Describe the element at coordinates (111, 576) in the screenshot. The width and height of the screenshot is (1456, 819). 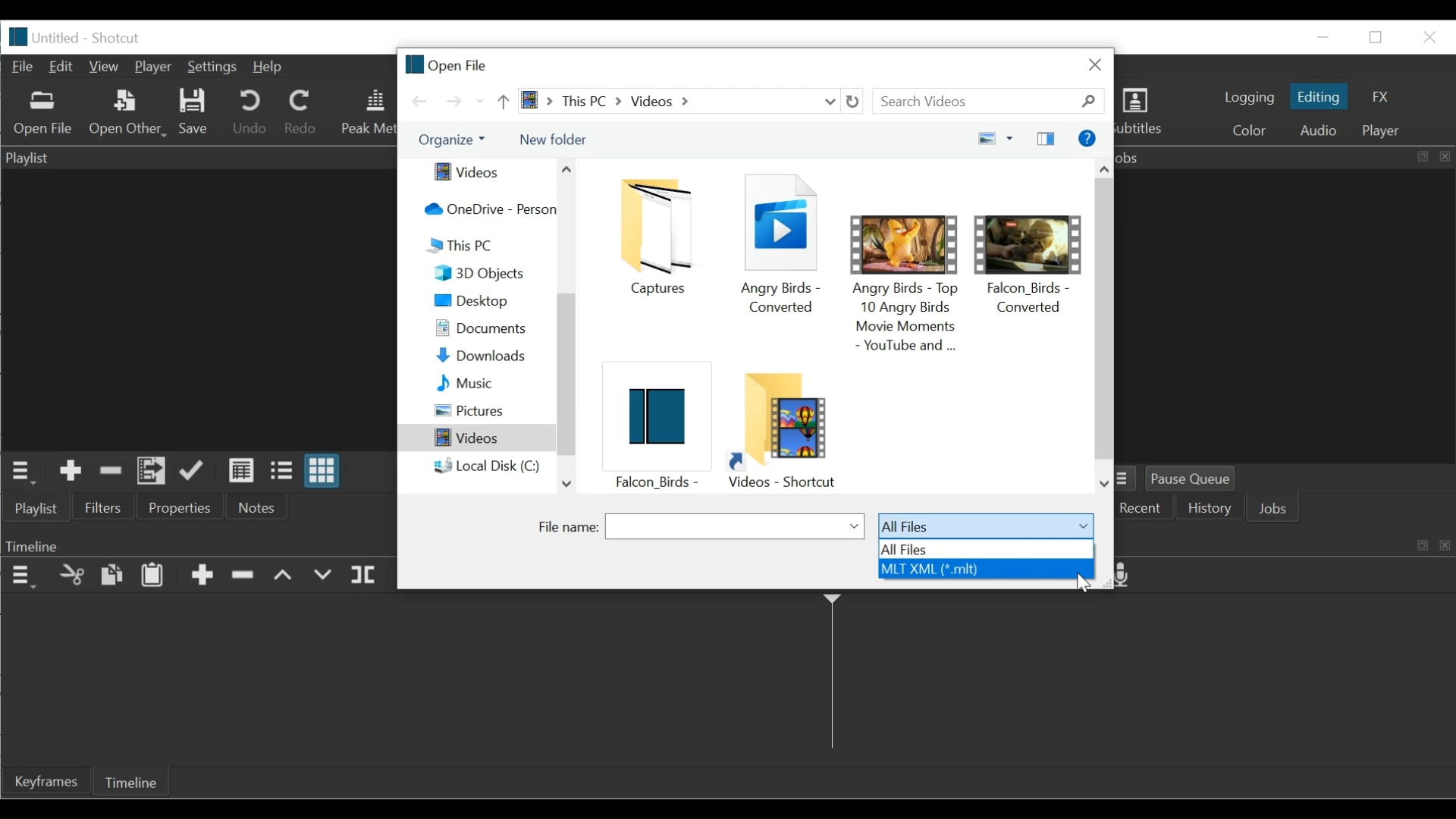
I see `Copy` at that location.